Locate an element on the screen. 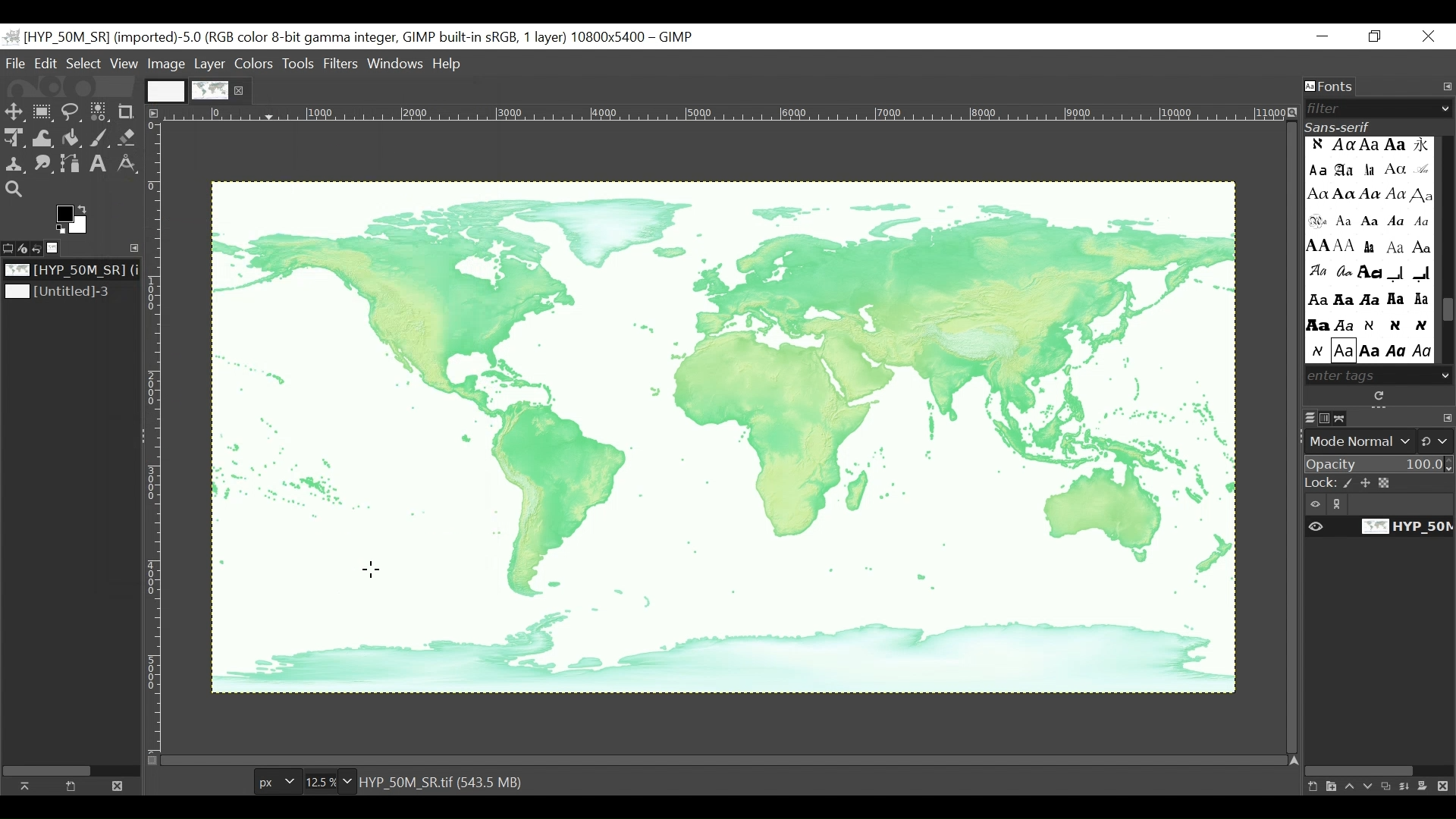 This screenshot has height=819, width=1456. Minimize is located at coordinates (1323, 37).